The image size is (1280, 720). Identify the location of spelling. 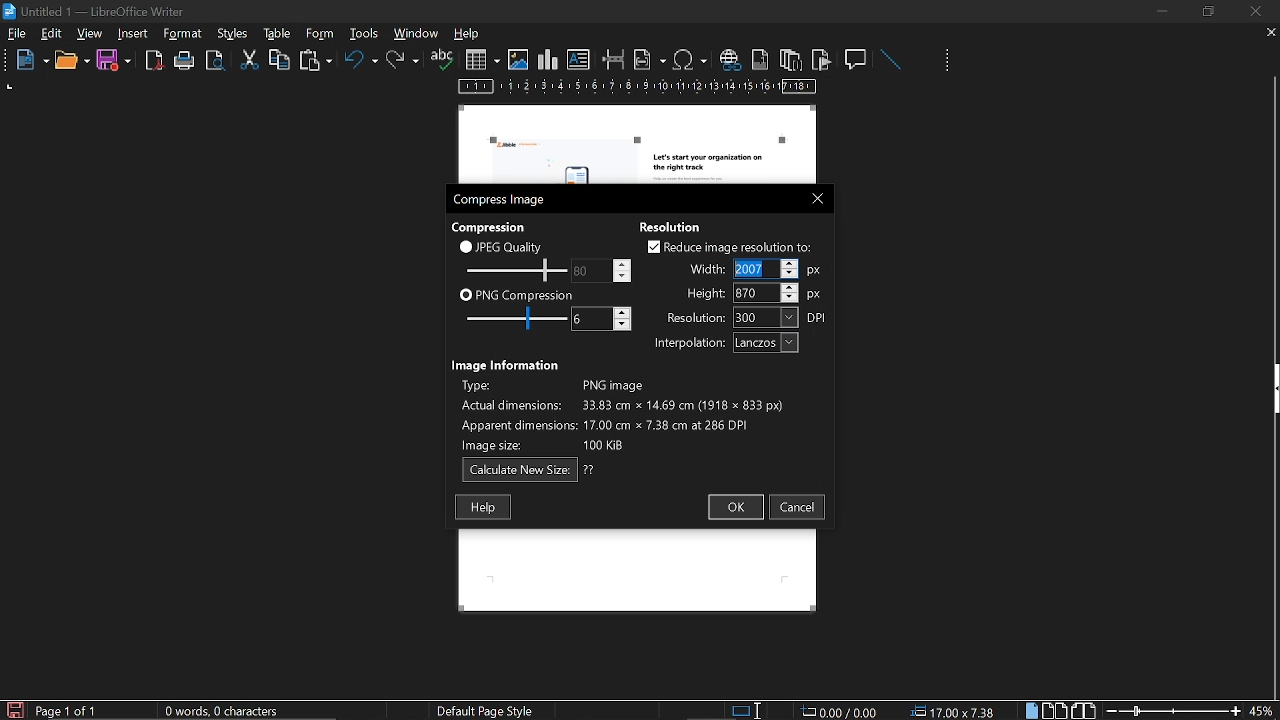
(442, 60).